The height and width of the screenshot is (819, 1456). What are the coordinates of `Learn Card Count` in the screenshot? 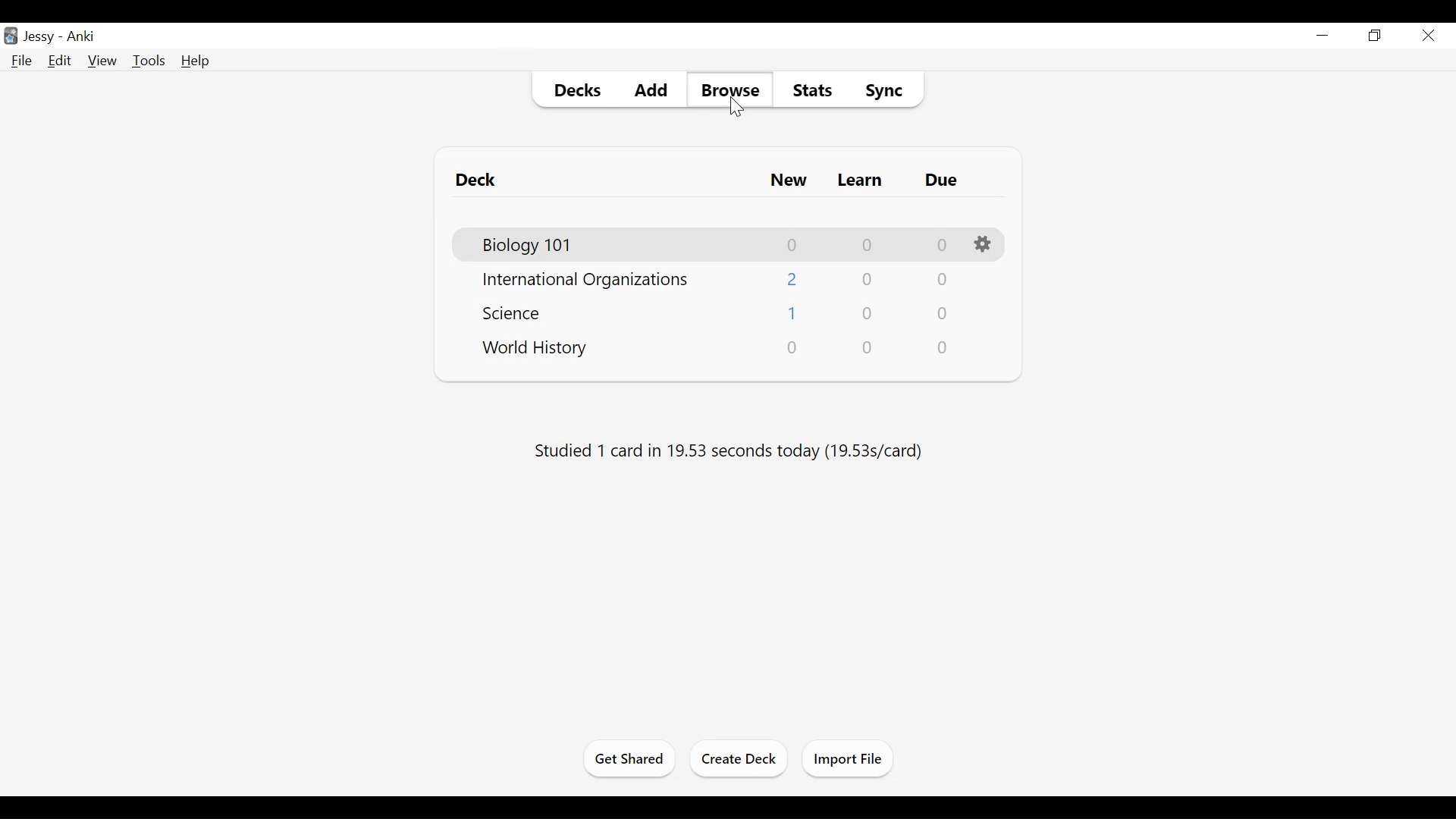 It's located at (866, 313).